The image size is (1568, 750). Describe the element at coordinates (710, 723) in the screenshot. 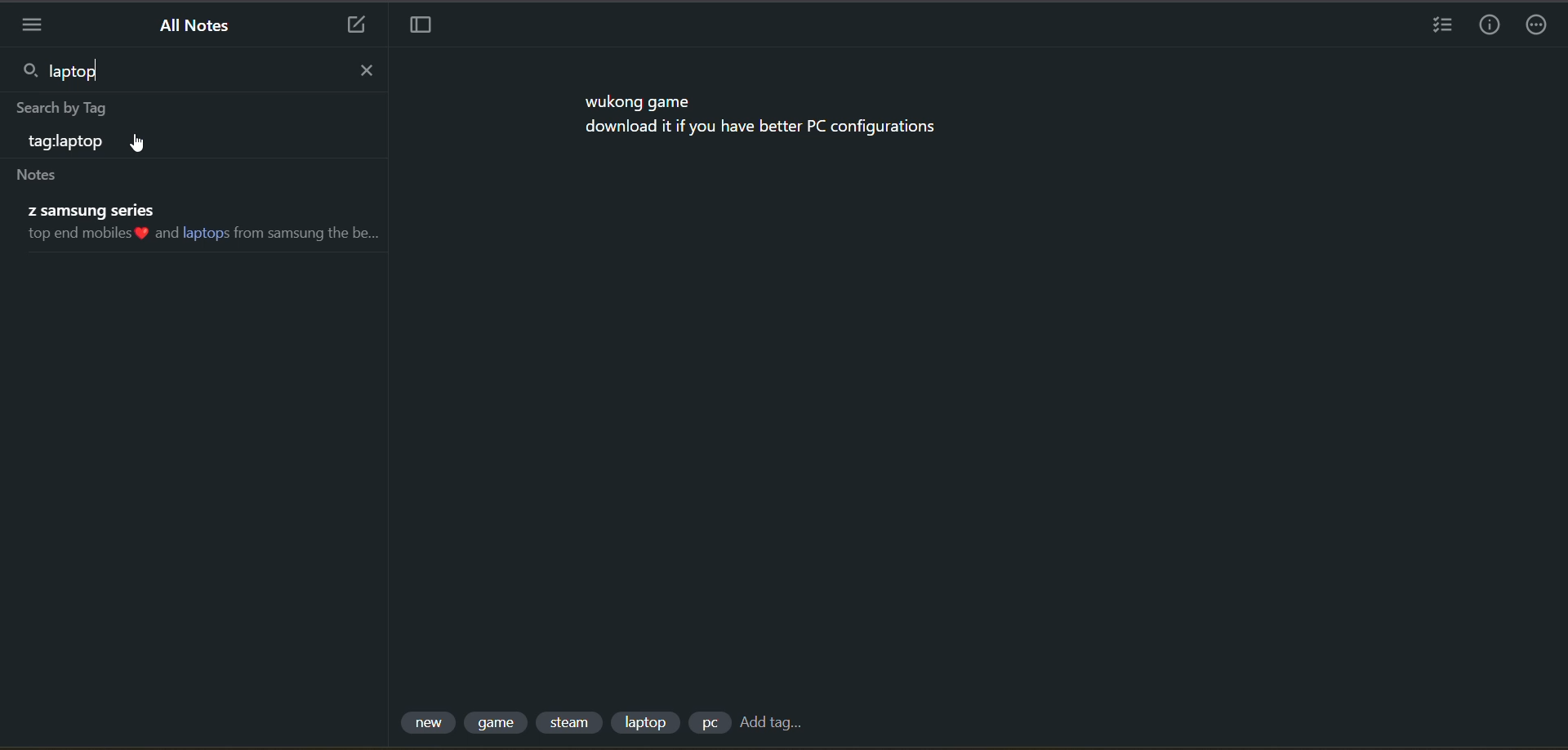

I see `tag 5` at that location.